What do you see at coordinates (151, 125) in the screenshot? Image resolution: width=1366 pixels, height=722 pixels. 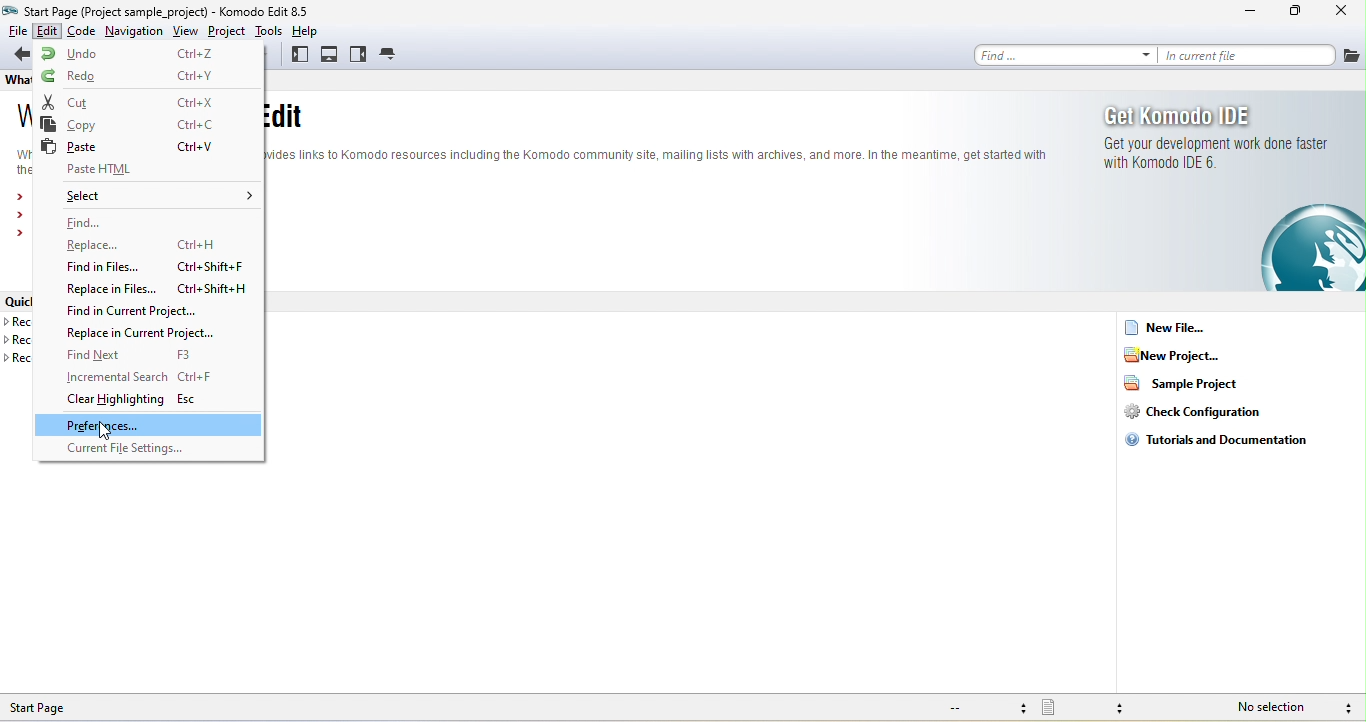 I see `copy` at bounding box center [151, 125].